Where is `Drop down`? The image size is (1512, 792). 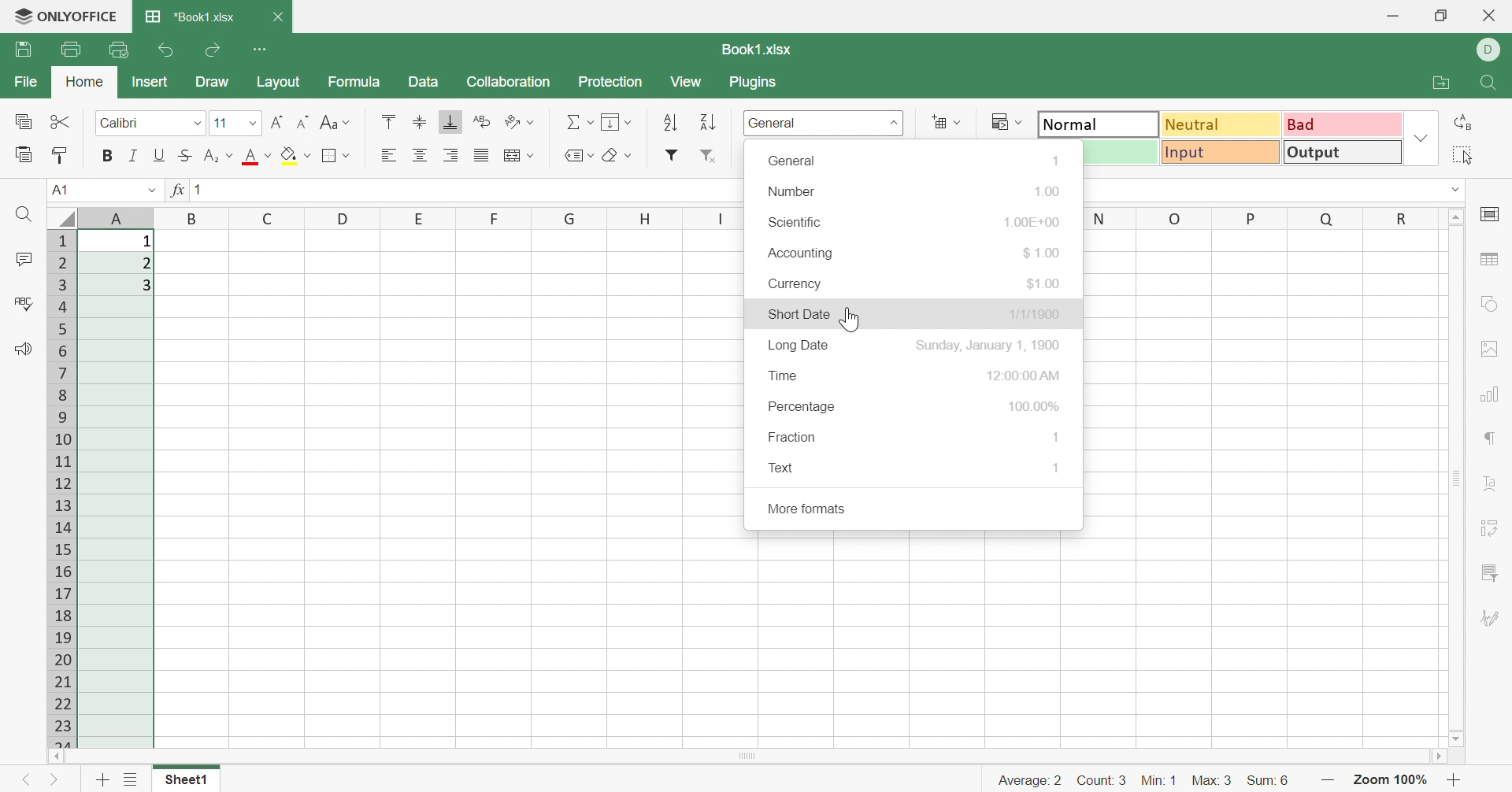
Drop down is located at coordinates (1456, 191).